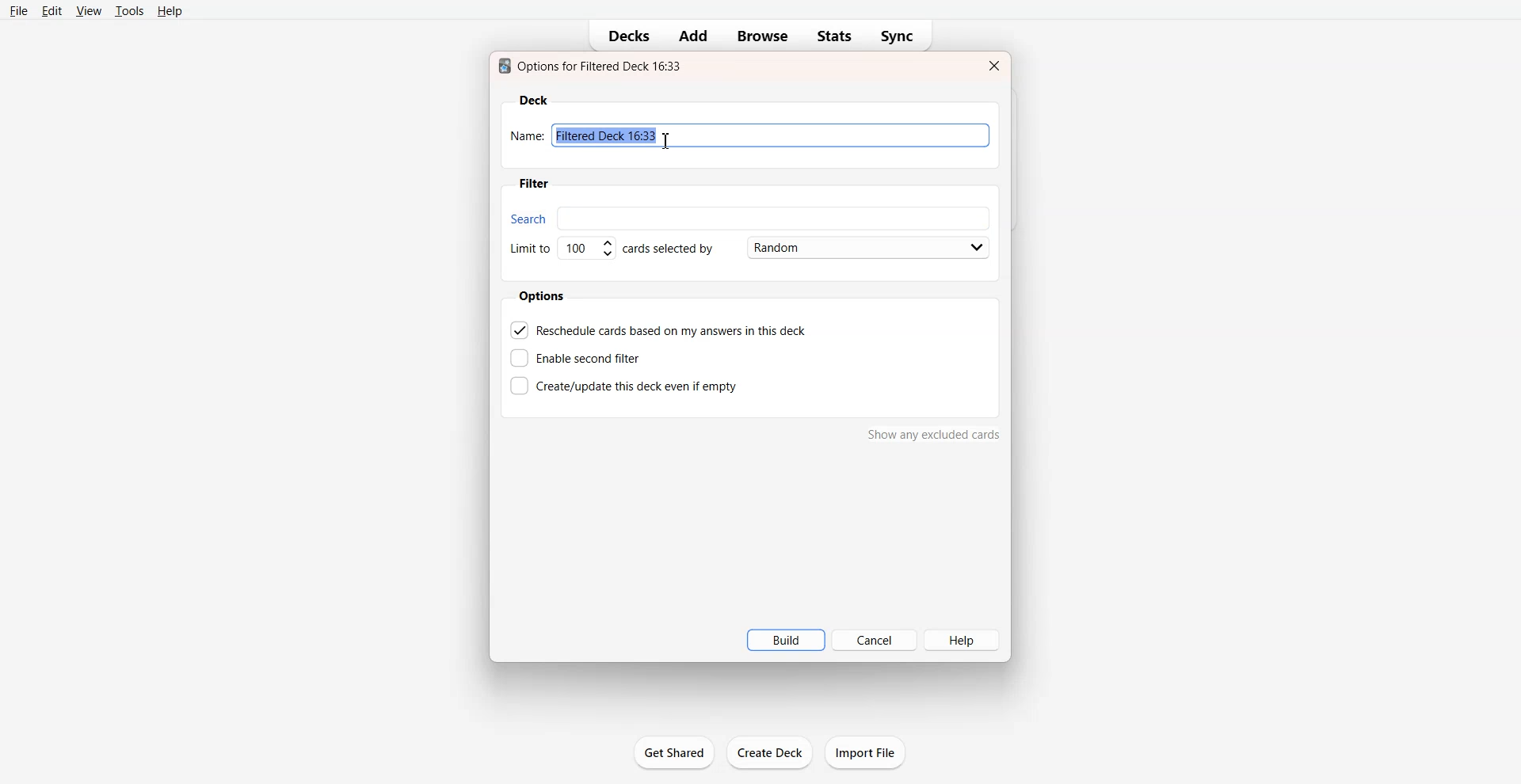 This screenshot has height=784, width=1521. Describe the element at coordinates (993, 66) in the screenshot. I see `Close` at that location.